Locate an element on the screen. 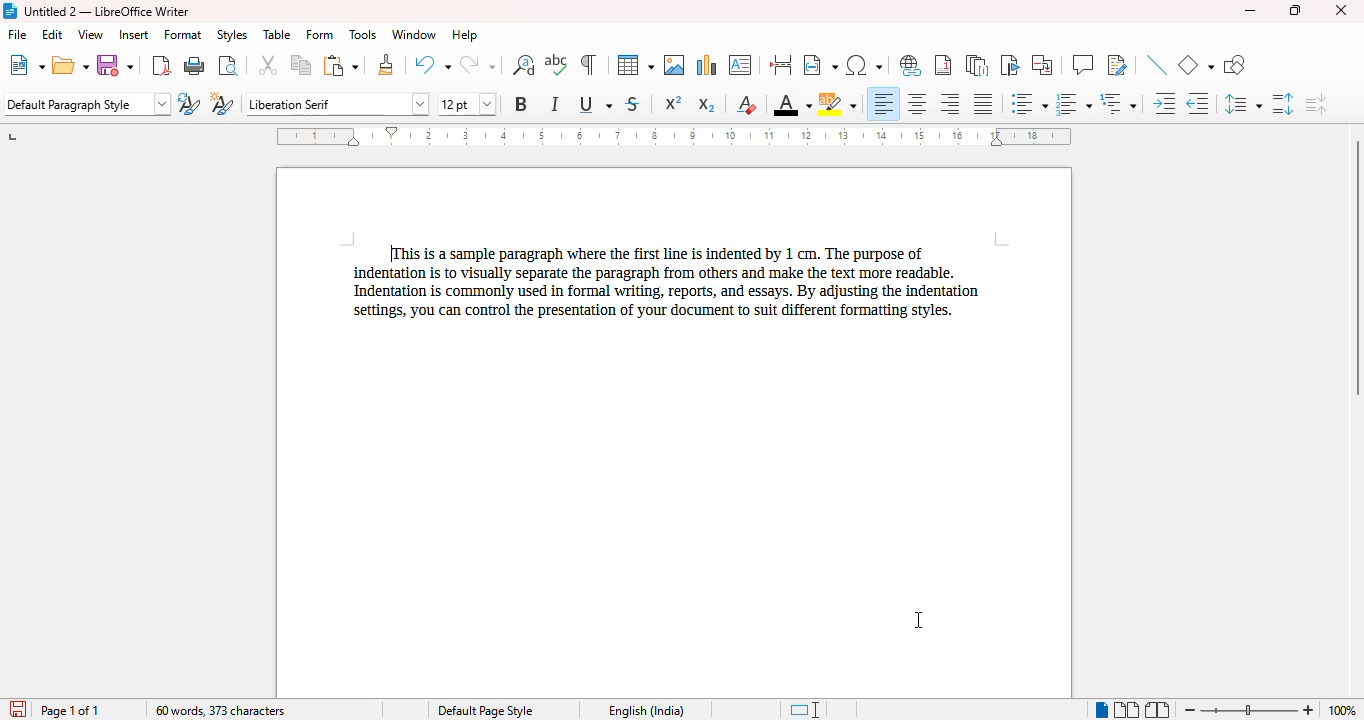  zoom factor is located at coordinates (1342, 710).